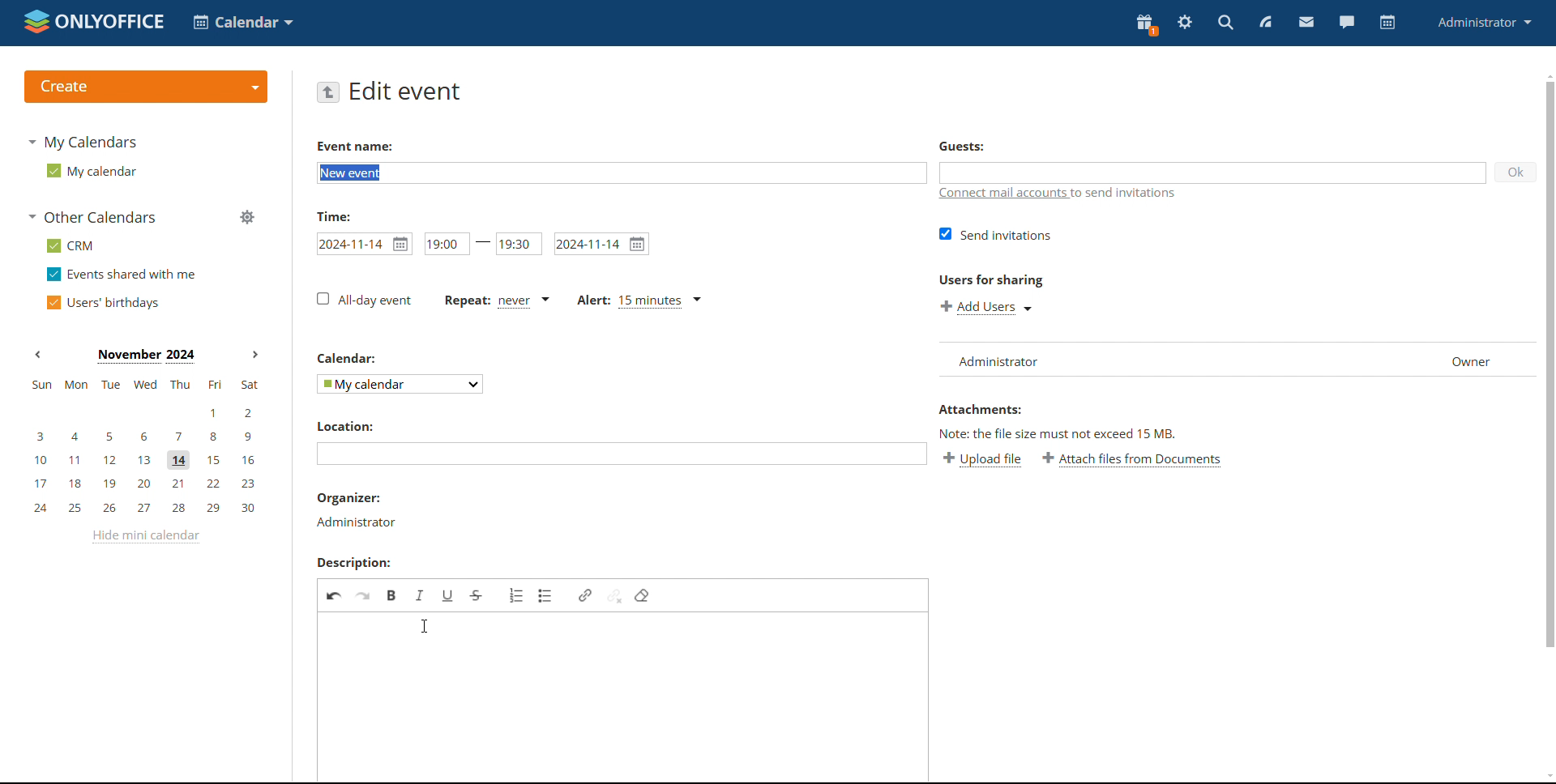 Image resolution: width=1556 pixels, height=784 pixels. What do you see at coordinates (546, 595) in the screenshot?
I see `insert/remove bulleted list` at bounding box center [546, 595].